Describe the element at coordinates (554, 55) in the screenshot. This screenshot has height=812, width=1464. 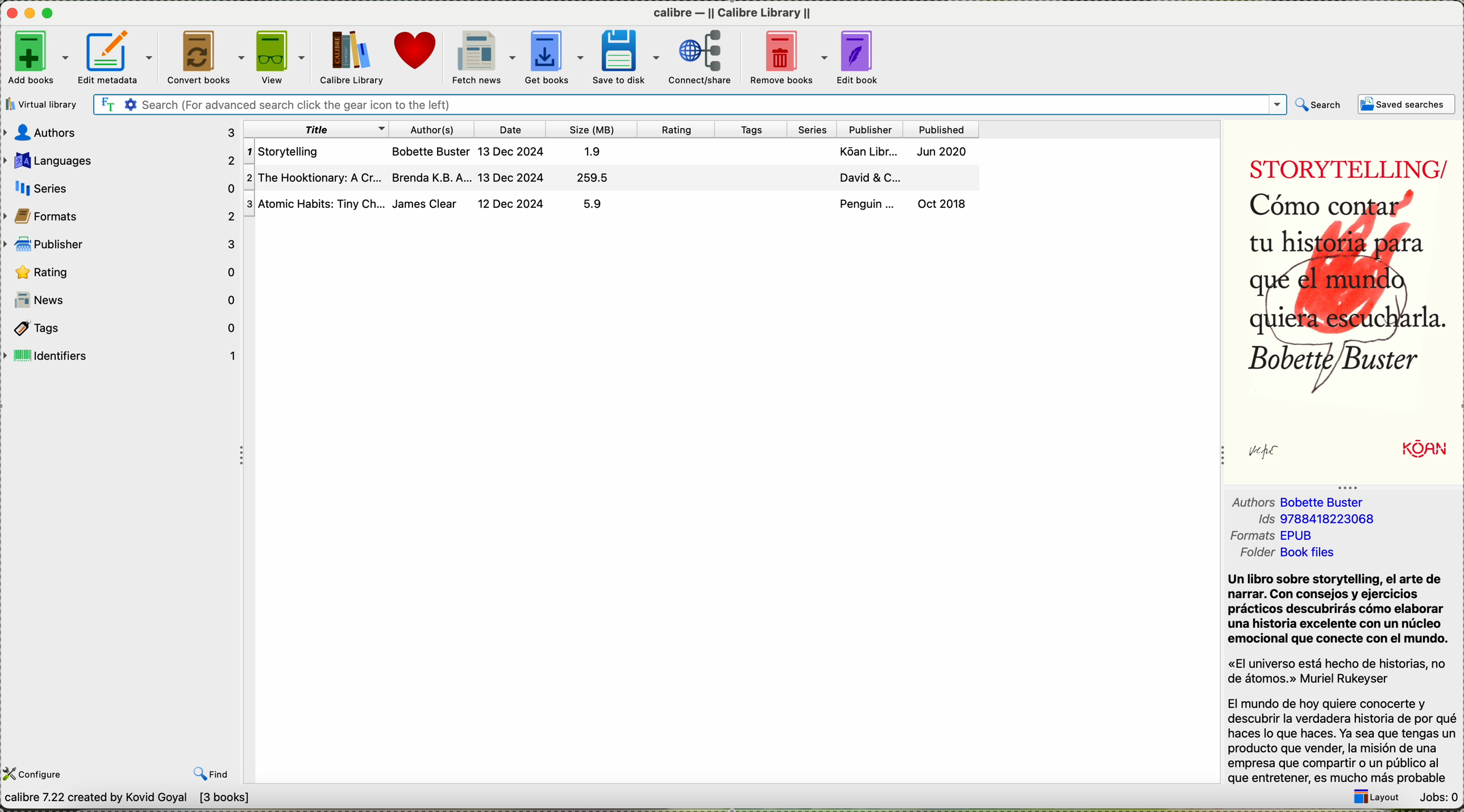
I see `get books` at that location.